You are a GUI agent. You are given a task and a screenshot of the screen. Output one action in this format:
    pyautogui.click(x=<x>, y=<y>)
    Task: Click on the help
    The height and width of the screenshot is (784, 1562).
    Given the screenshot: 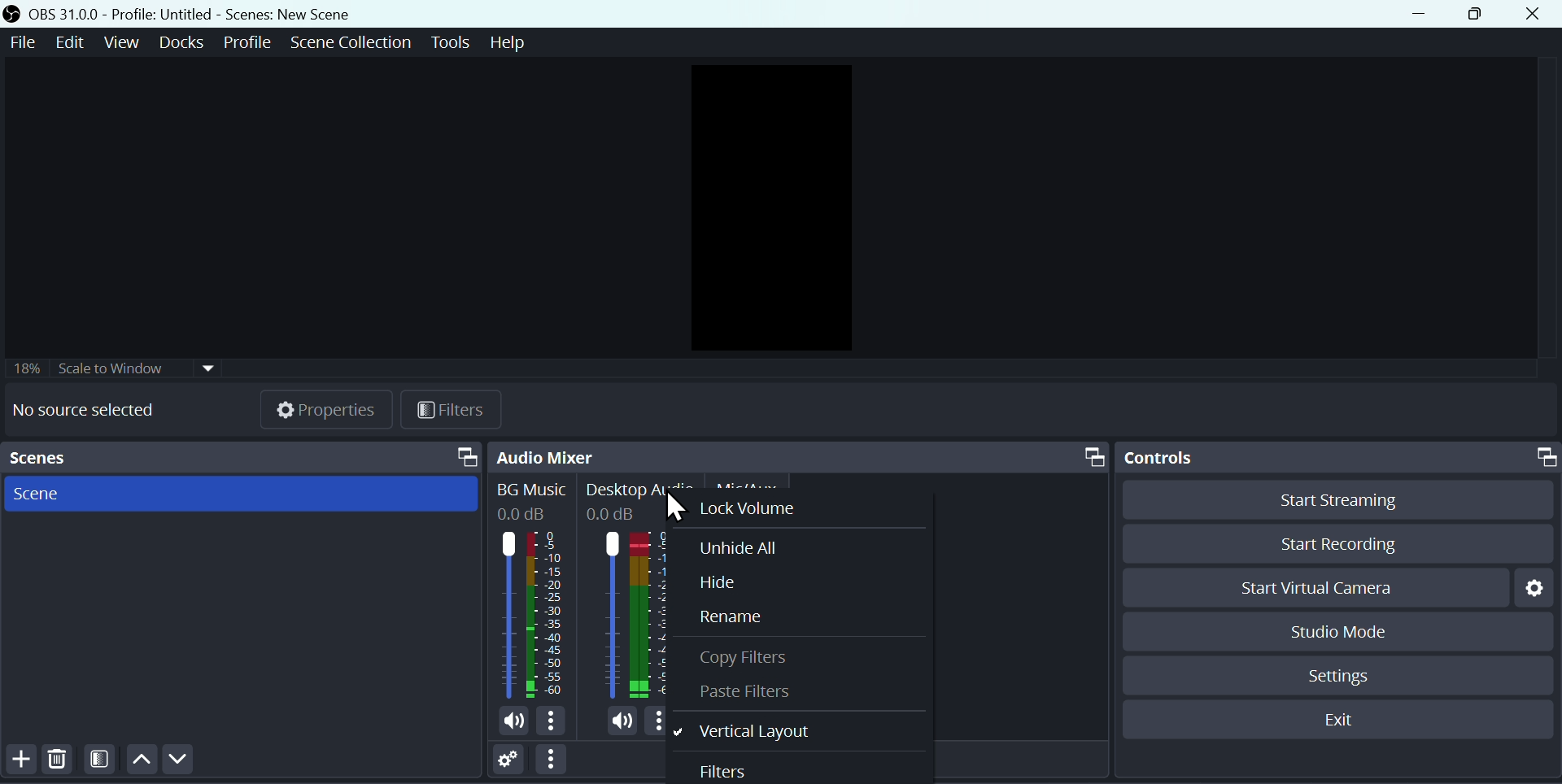 What is the action you would take?
    pyautogui.click(x=507, y=45)
    